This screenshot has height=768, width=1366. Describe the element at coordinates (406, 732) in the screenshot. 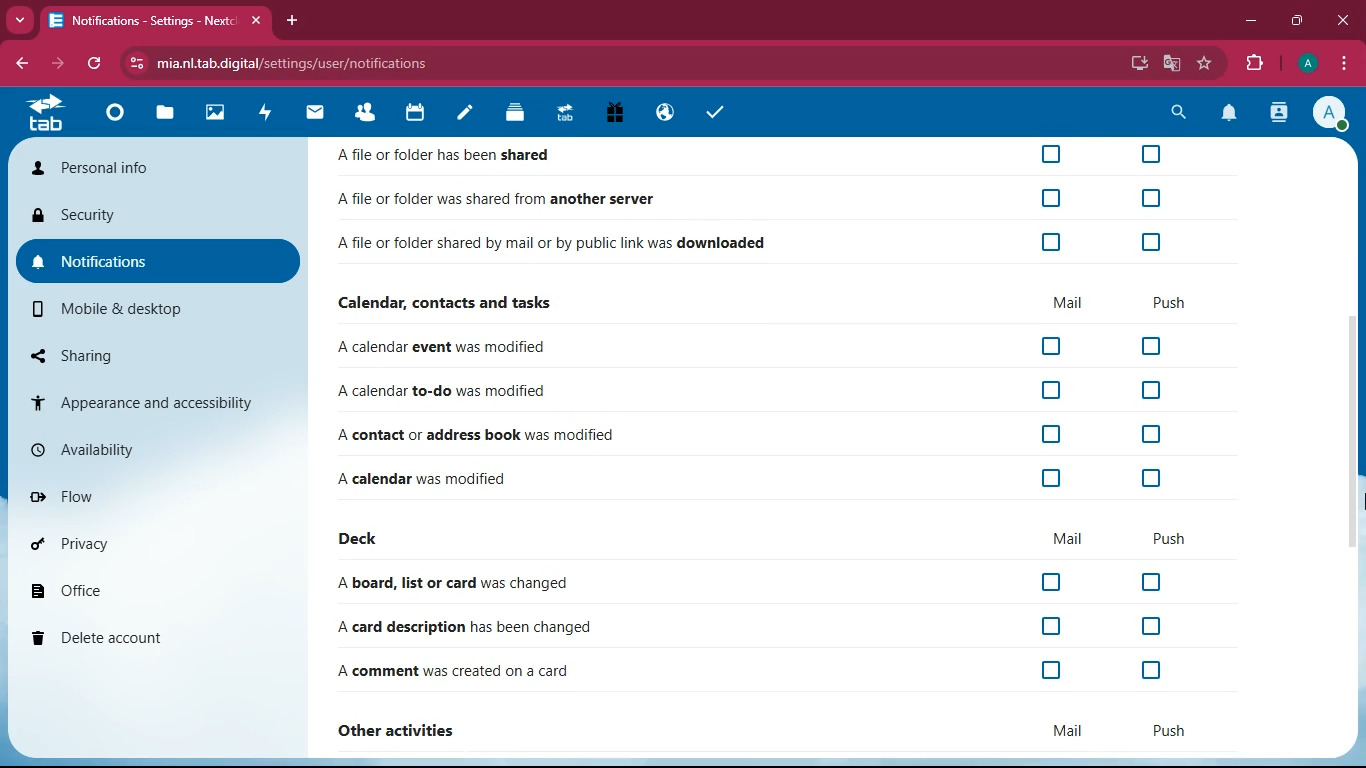

I see `other activities` at that location.